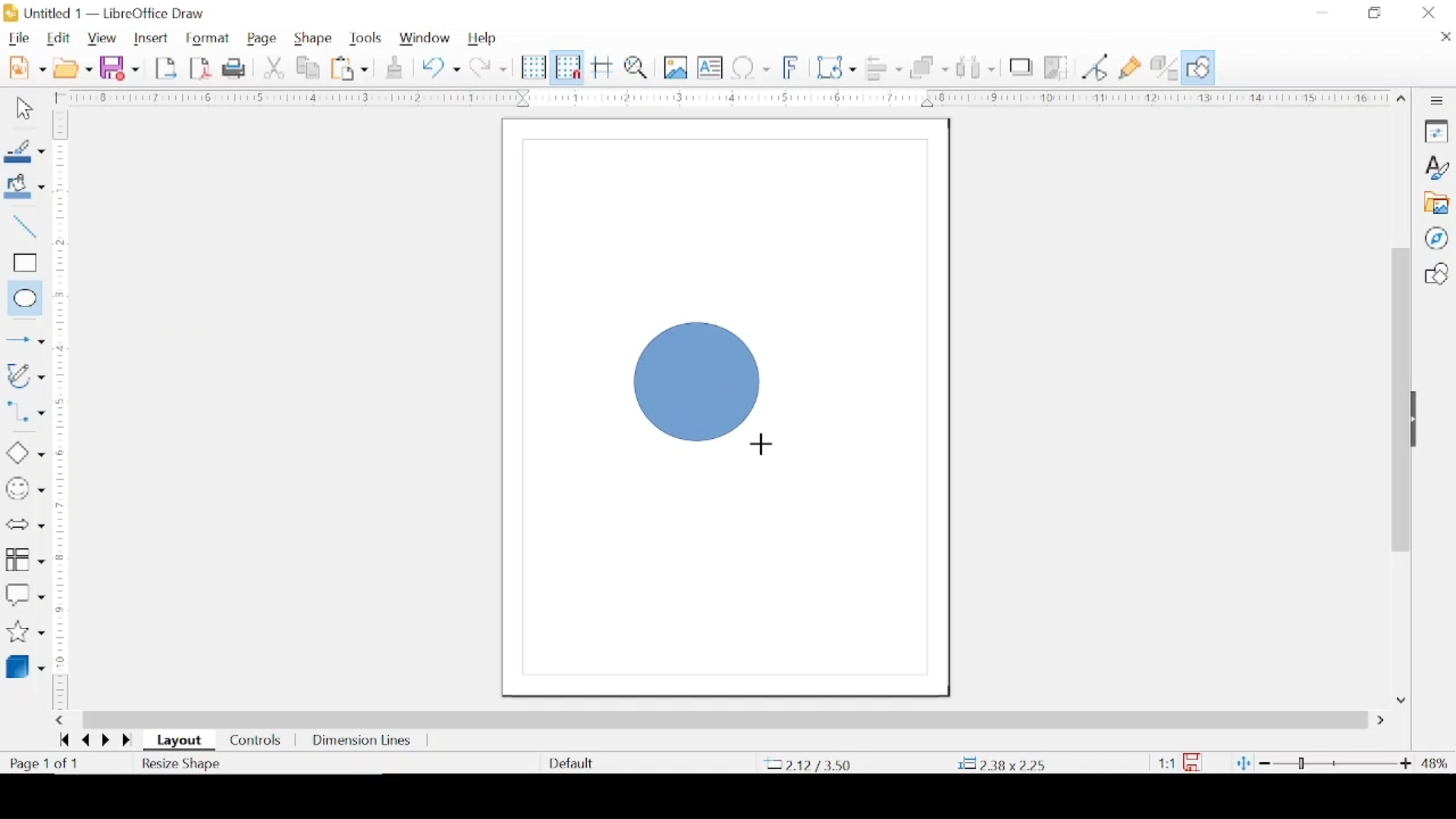 The width and height of the screenshot is (1456, 819). I want to click on restore down, so click(1376, 13).